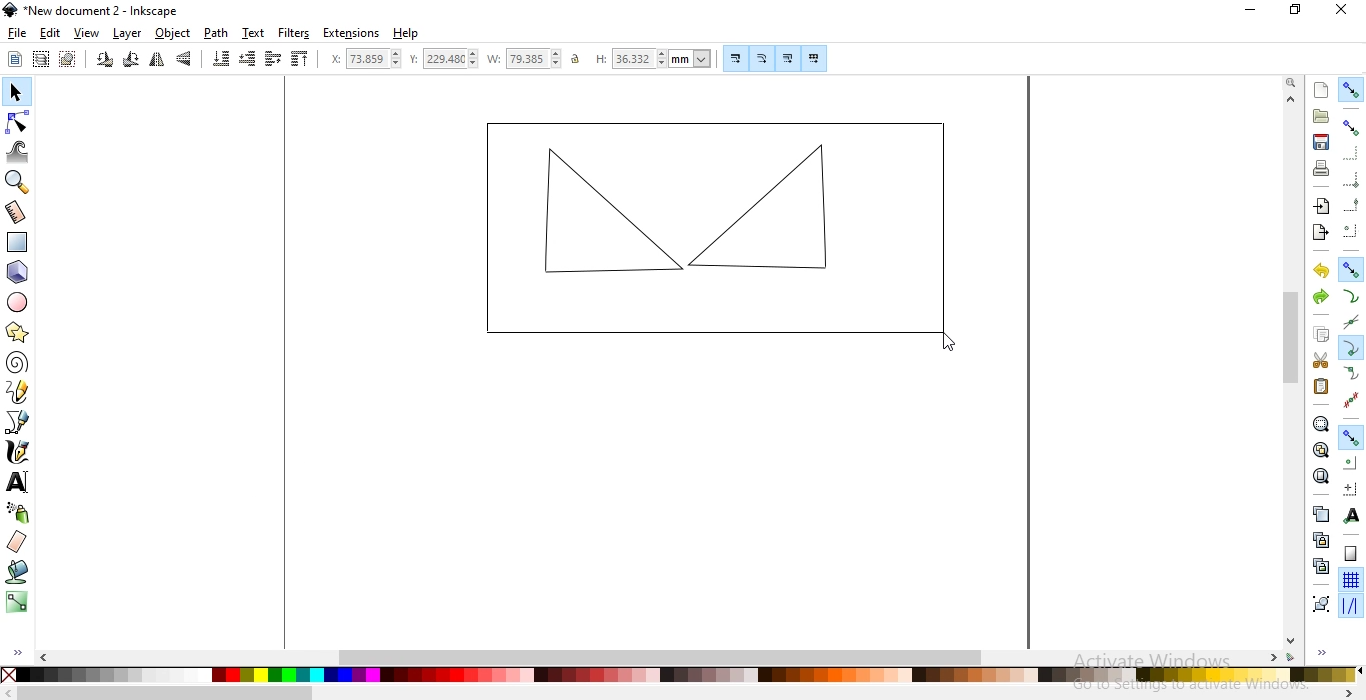 The image size is (1366, 700). What do you see at coordinates (1254, 12) in the screenshot?
I see `minimize` at bounding box center [1254, 12].